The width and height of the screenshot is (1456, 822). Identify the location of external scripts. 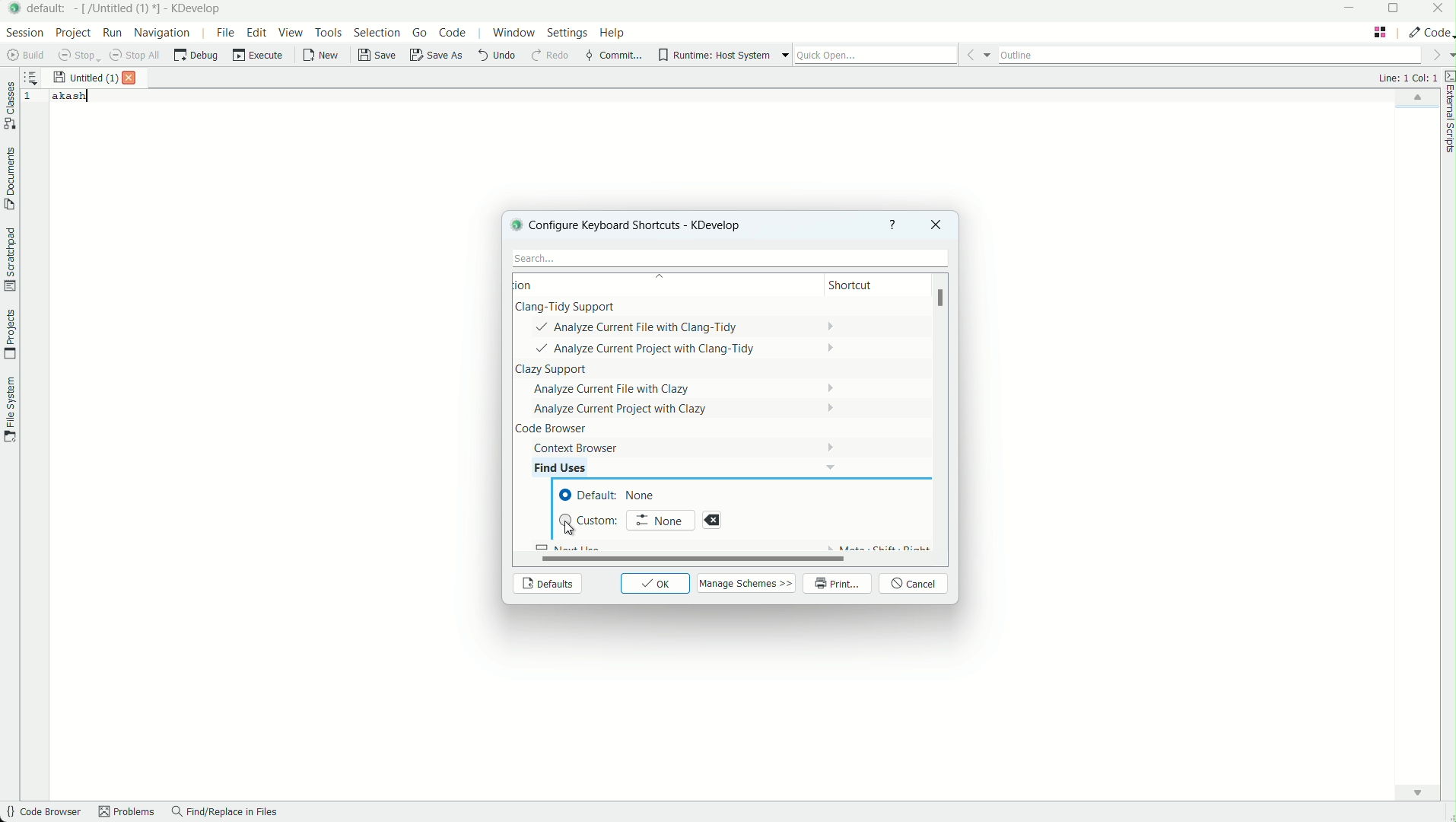
(1447, 114).